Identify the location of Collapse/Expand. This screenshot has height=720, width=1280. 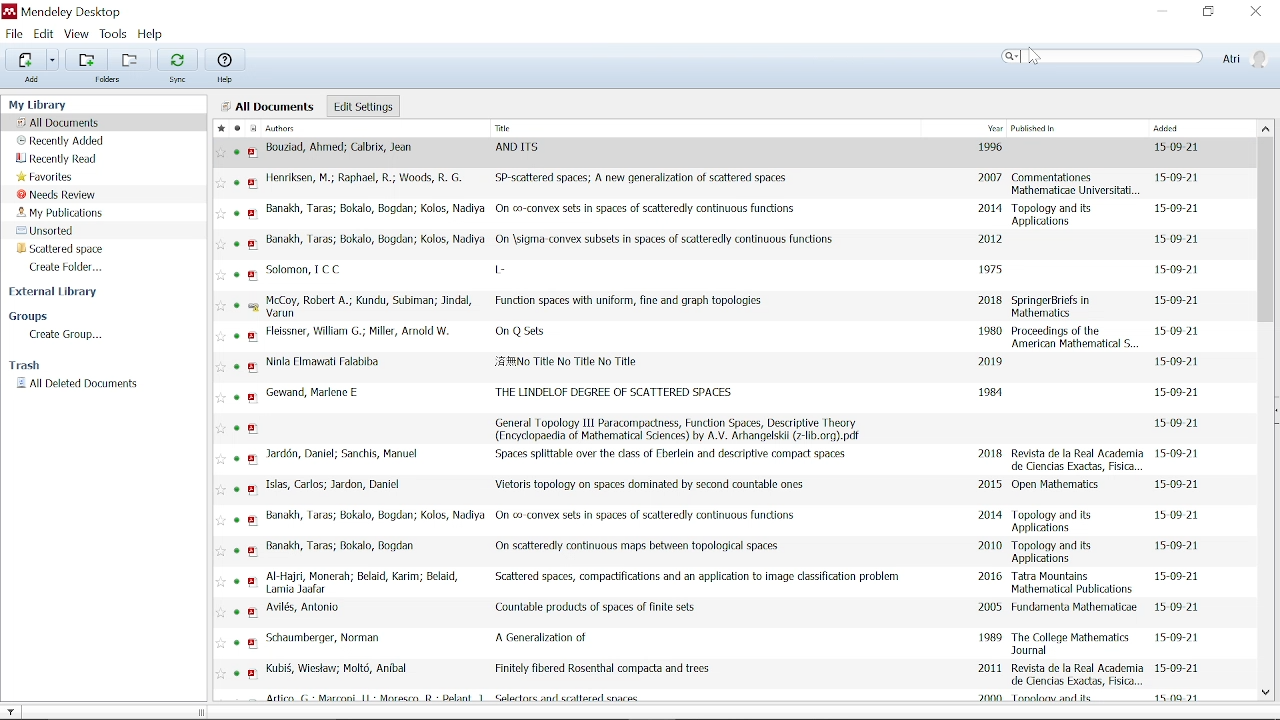
(1276, 409).